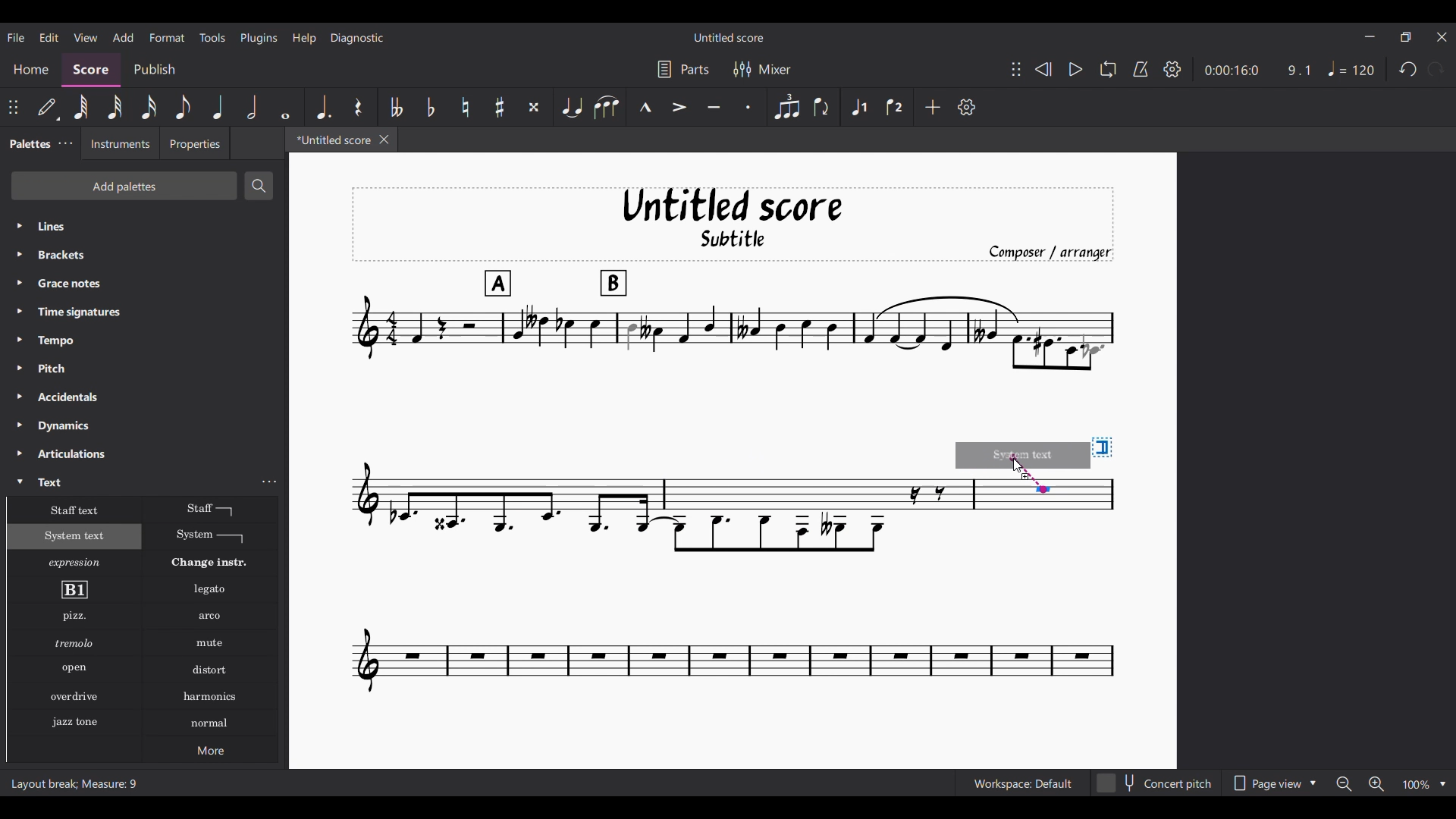 This screenshot has width=1456, height=819. Describe the element at coordinates (259, 38) in the screenshot. I see `Plugins menu` at that location.